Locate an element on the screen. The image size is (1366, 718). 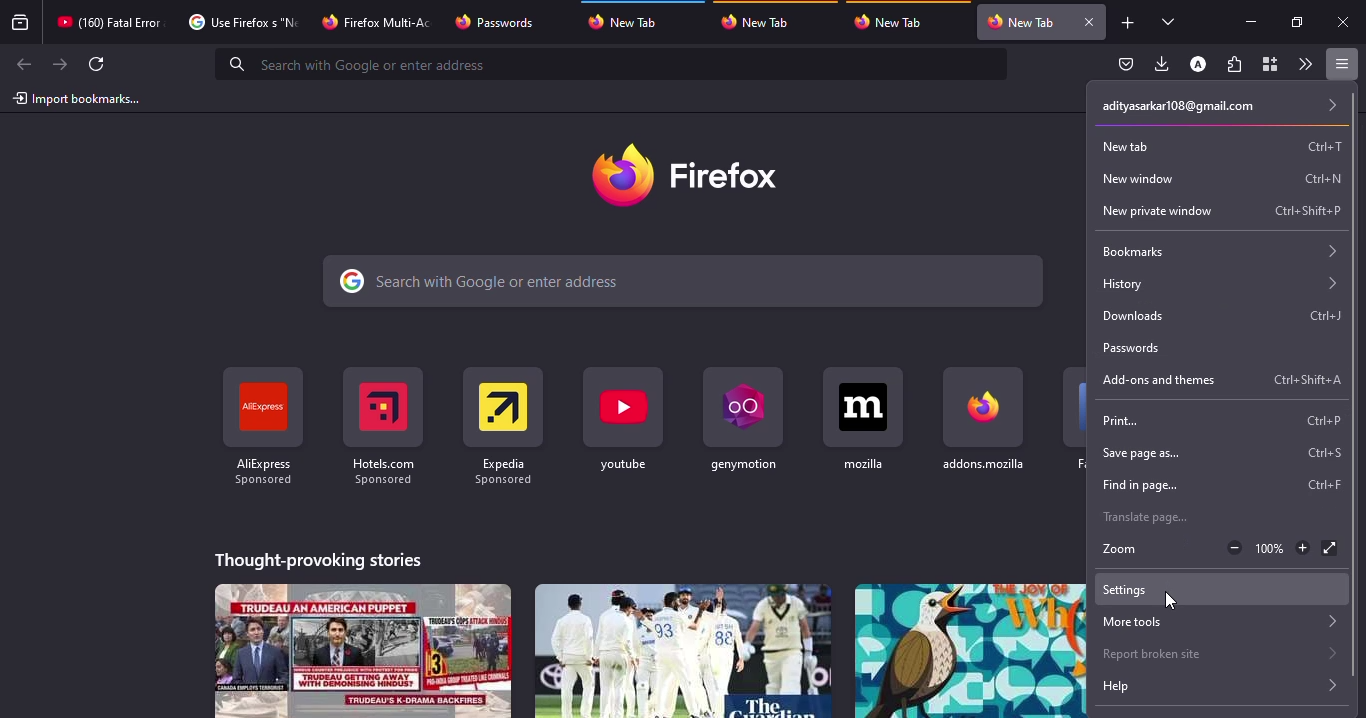
downloads is located at coordinates (1139, 315).